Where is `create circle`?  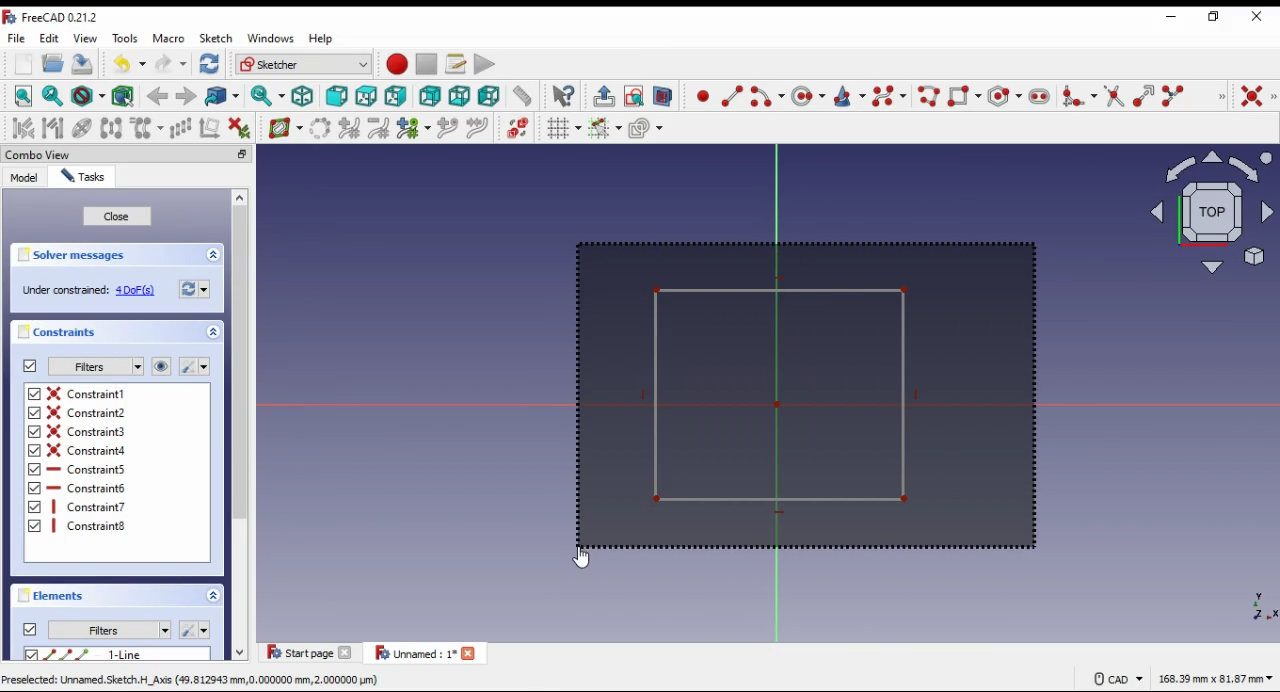
create circle is located at coordinates (808, 95).